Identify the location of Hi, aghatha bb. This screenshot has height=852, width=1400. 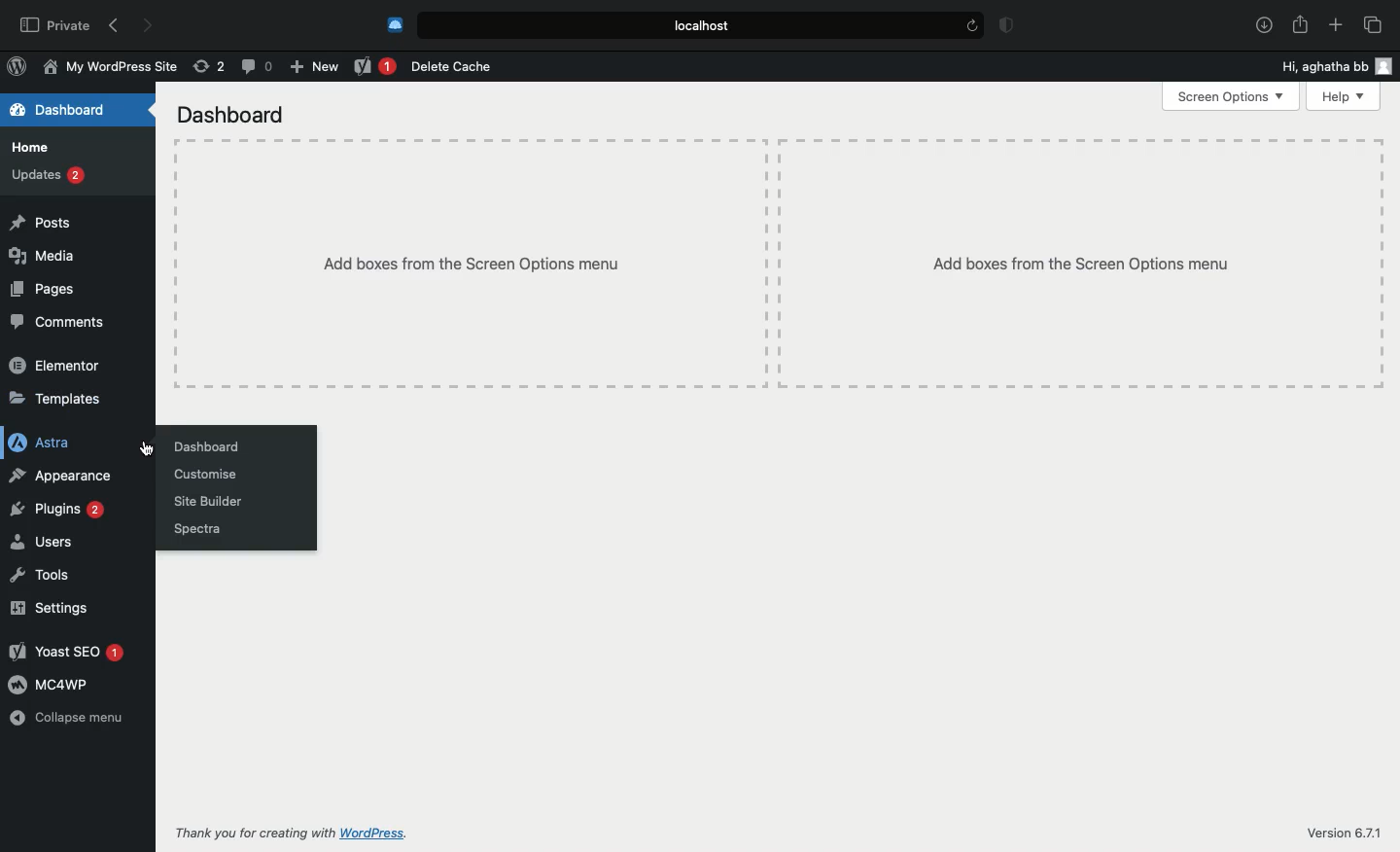
(1316, 64).